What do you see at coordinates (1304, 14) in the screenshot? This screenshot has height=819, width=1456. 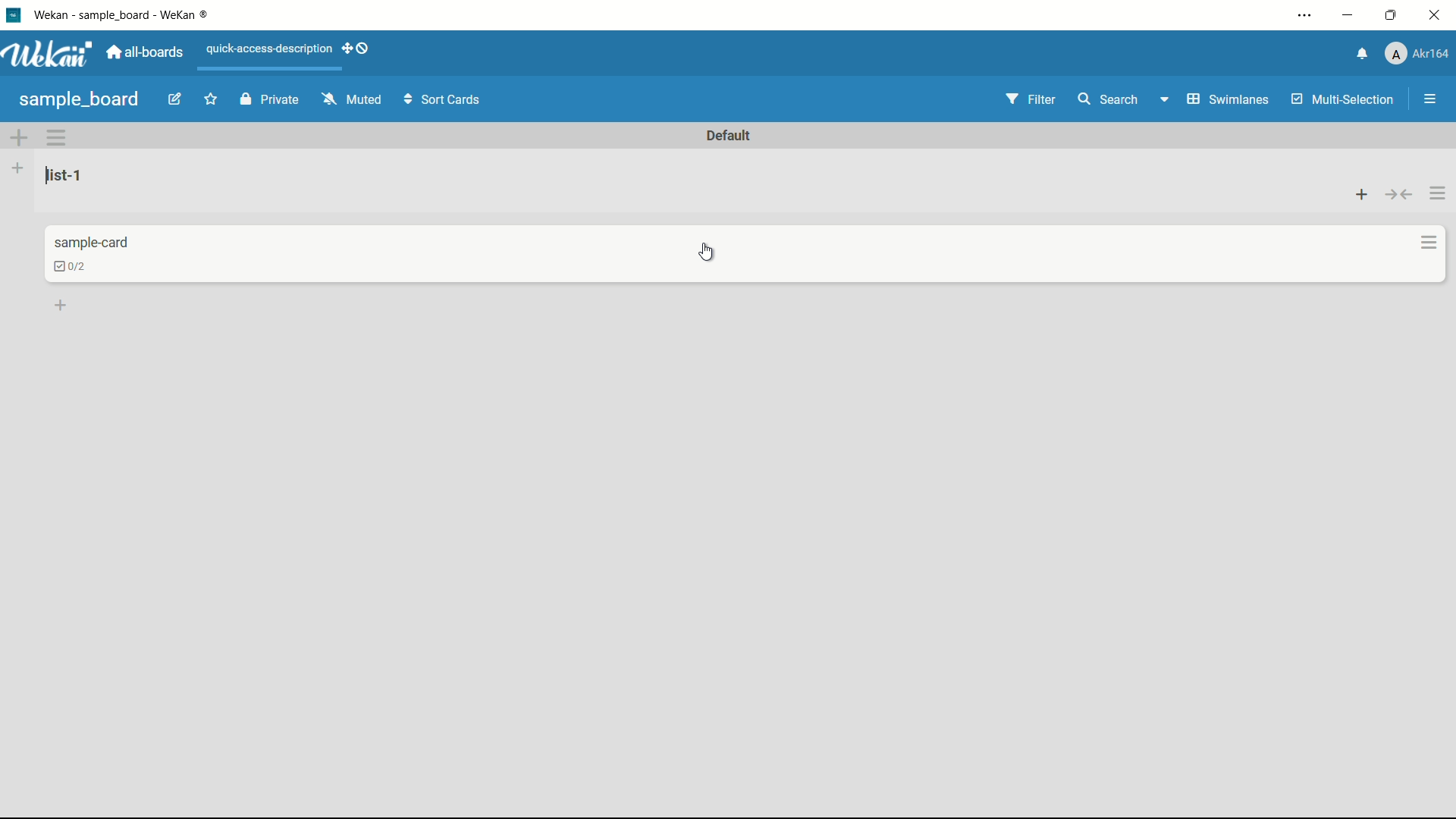 I see `settings and more` at bounding box center [1304, 14].